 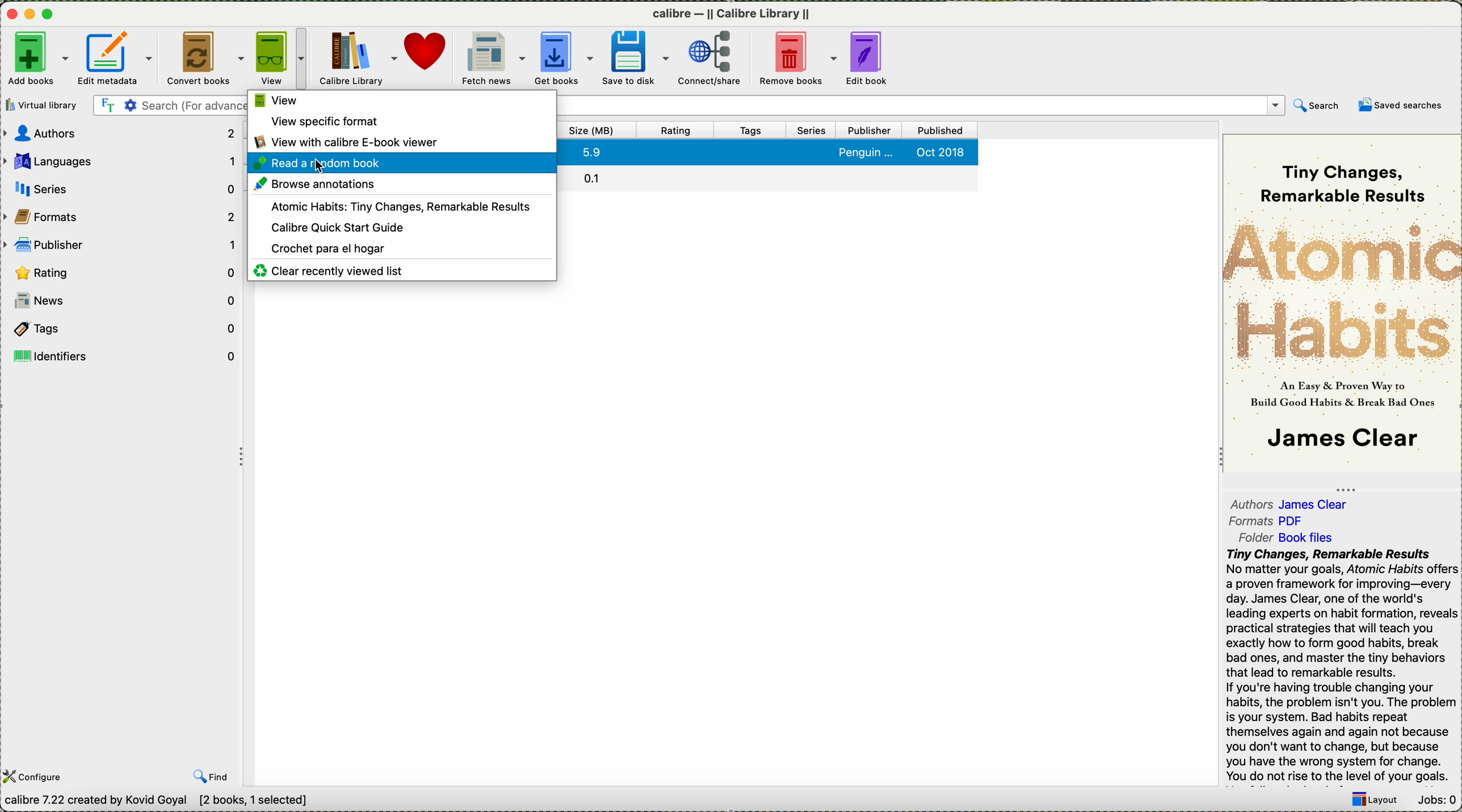 I want to click on rating, so click(x=678, y=131).